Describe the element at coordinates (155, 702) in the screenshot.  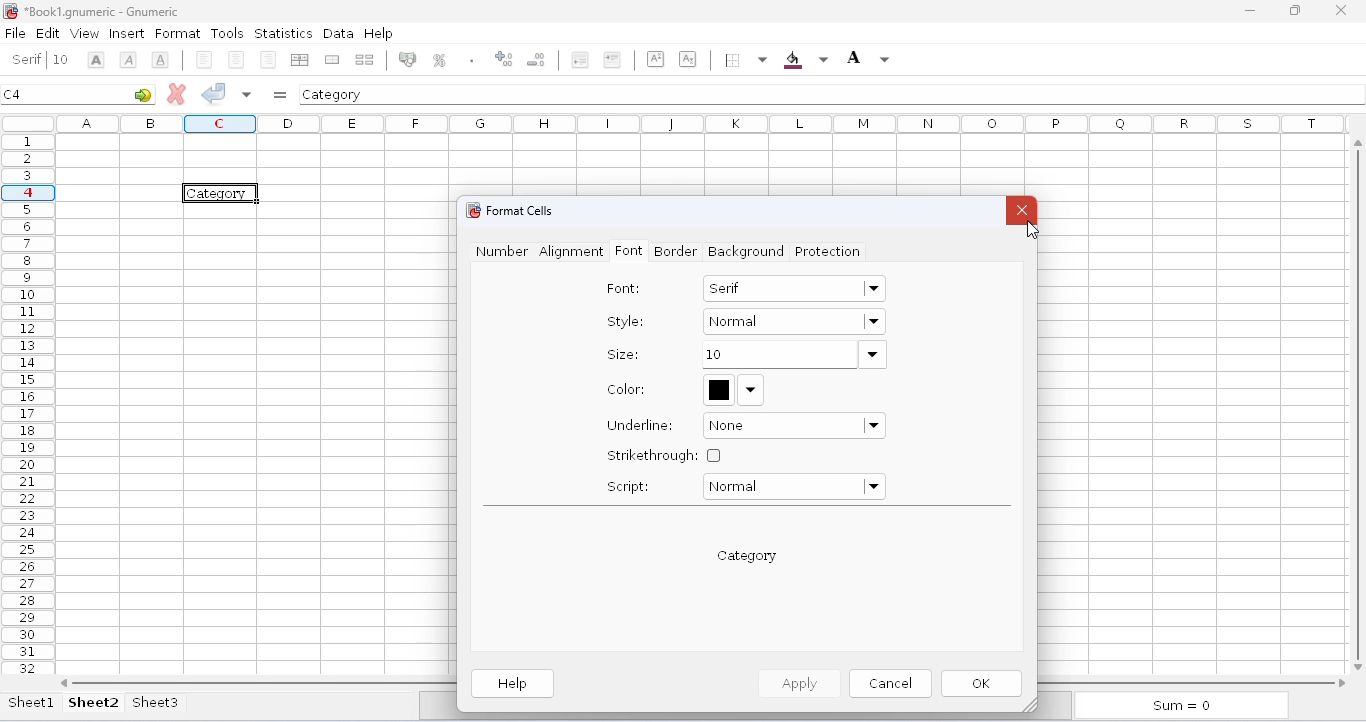
I see `sheet3` at that location.